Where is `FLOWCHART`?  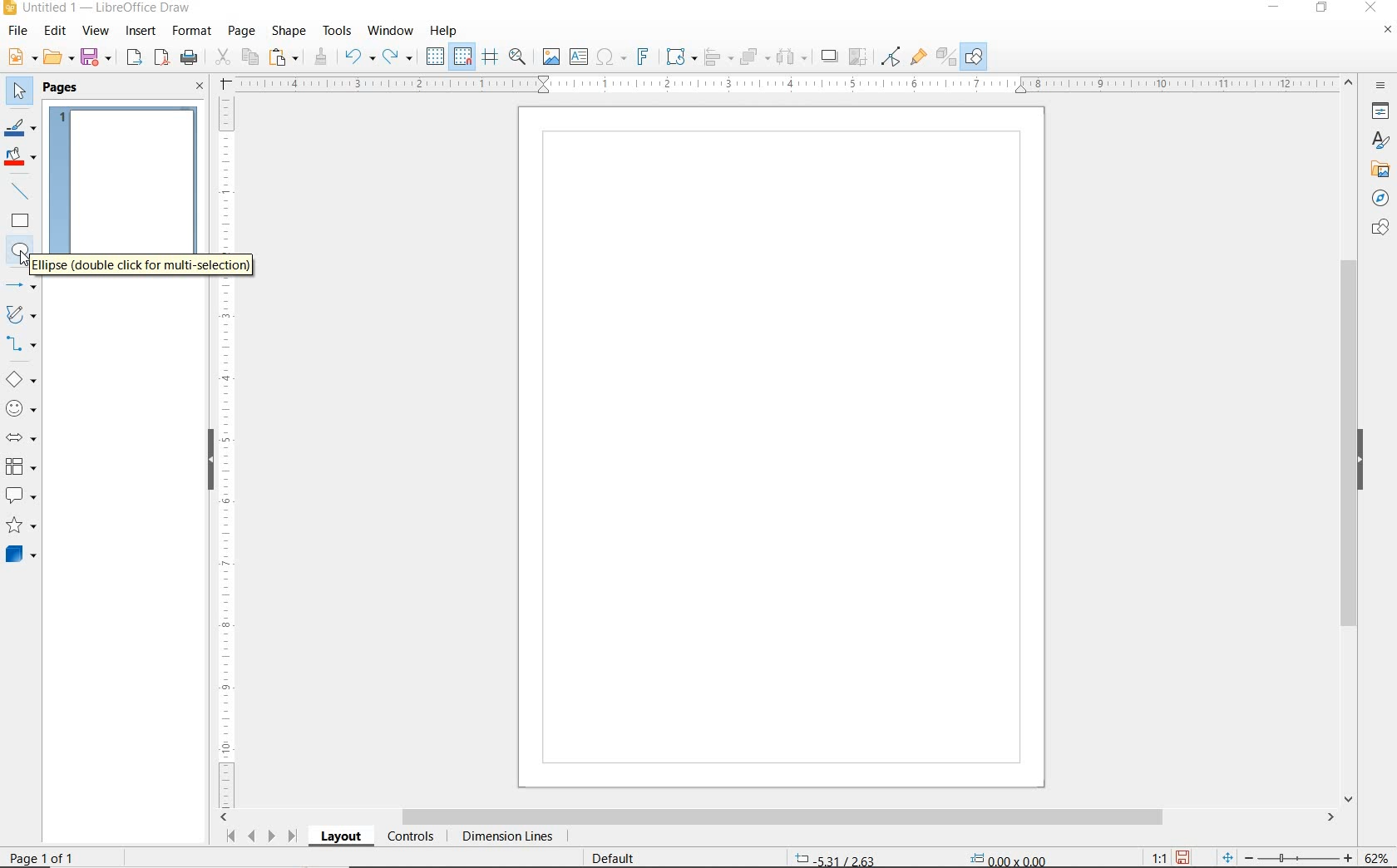 FLOWCHART is located at coordinates (20, 467).